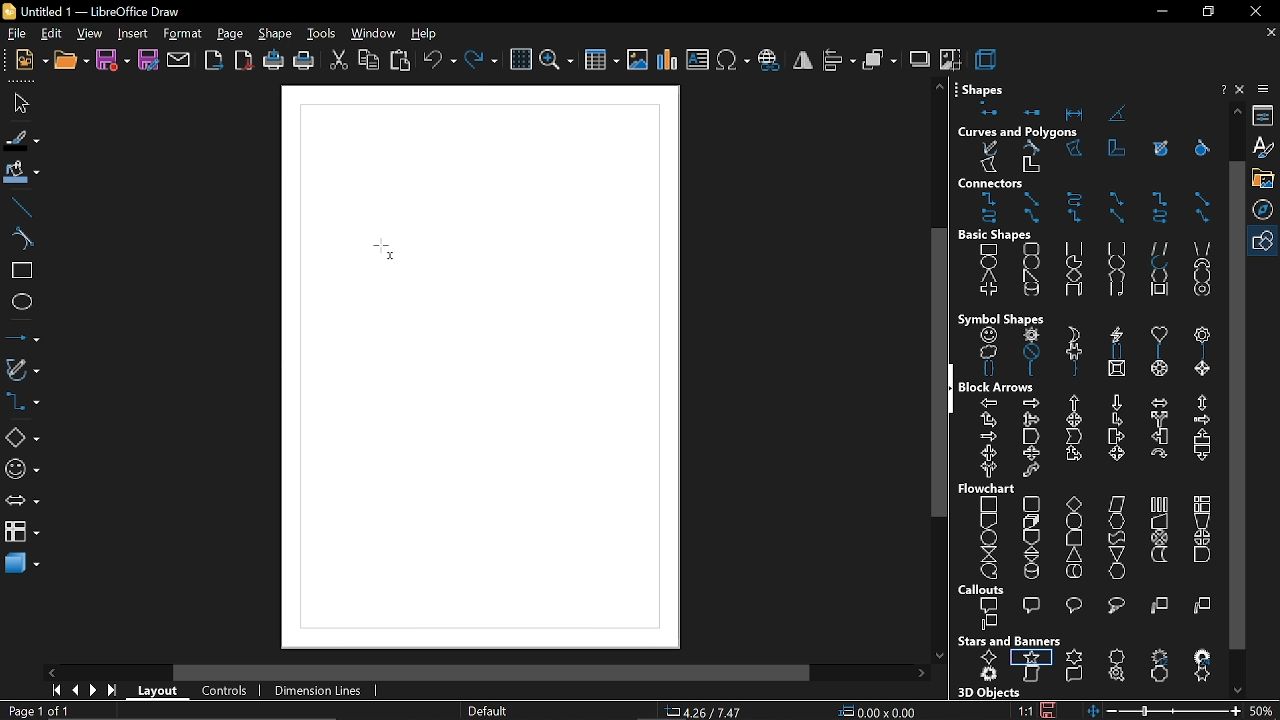 This screenshot has width=1280, height=720. Describe the element at coordinates (374, 35) in the screenshot. I see `window` at that location.